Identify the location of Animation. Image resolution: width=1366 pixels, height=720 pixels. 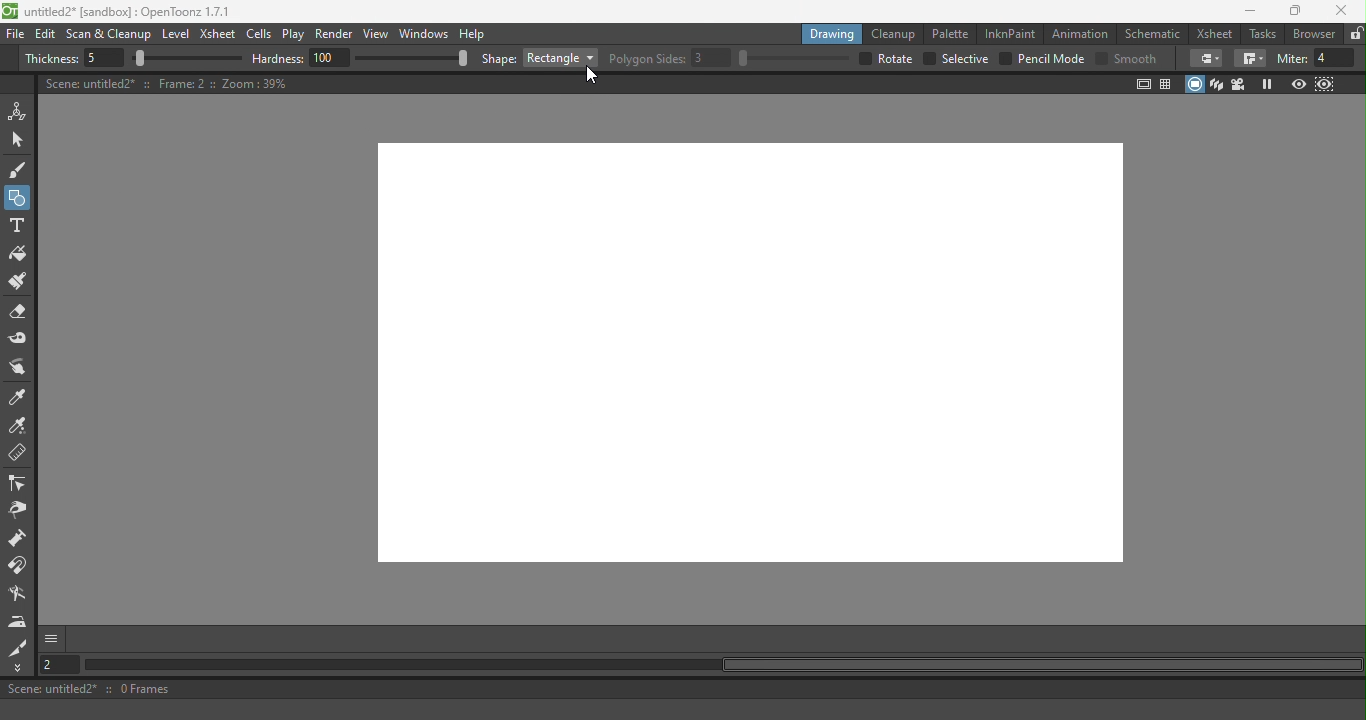
(1078, 34).